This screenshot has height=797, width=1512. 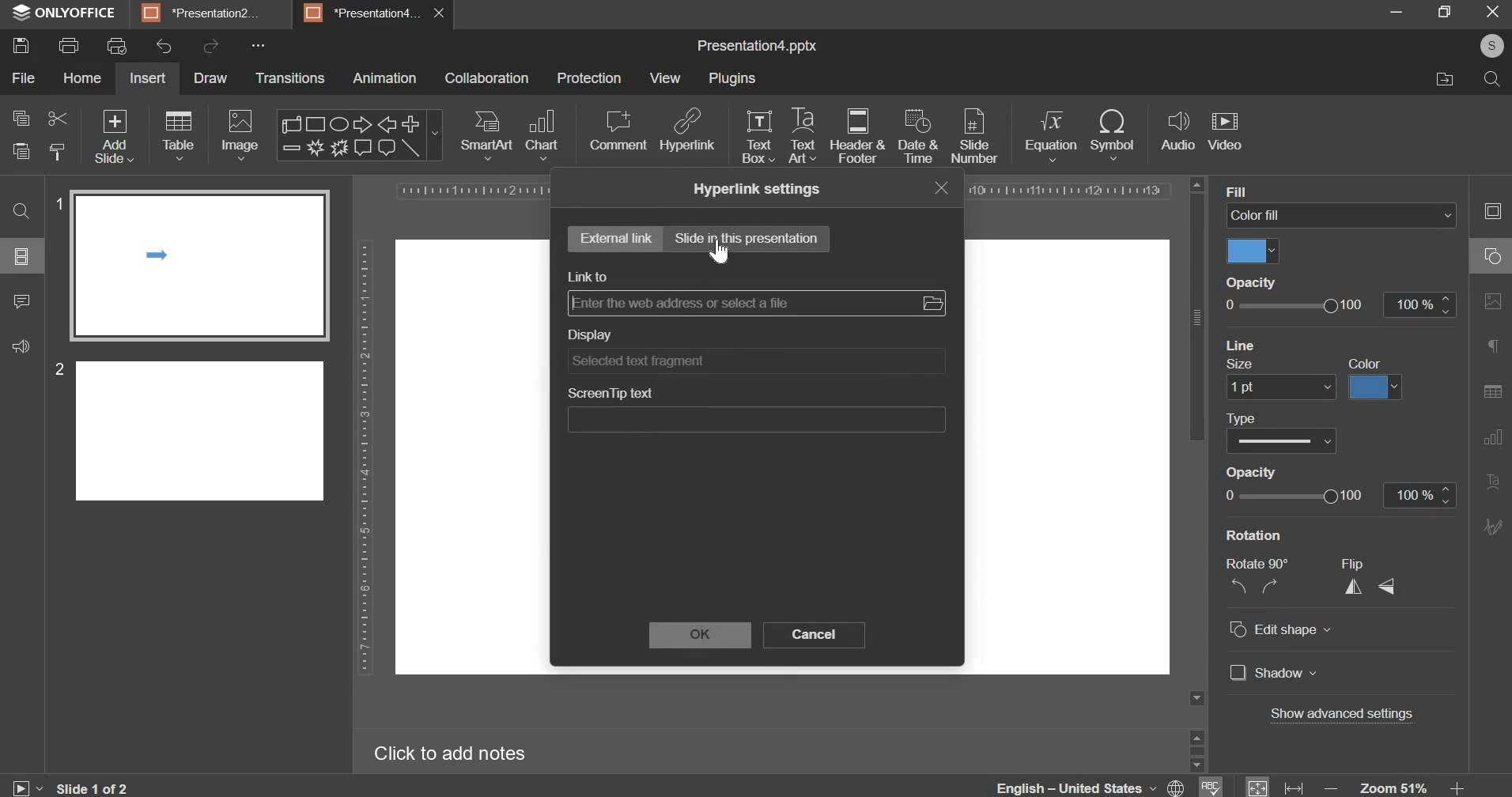 What do you see at coordinates (948, 189) in the screenshot?
I see `close` at bounding box center [948, 189].